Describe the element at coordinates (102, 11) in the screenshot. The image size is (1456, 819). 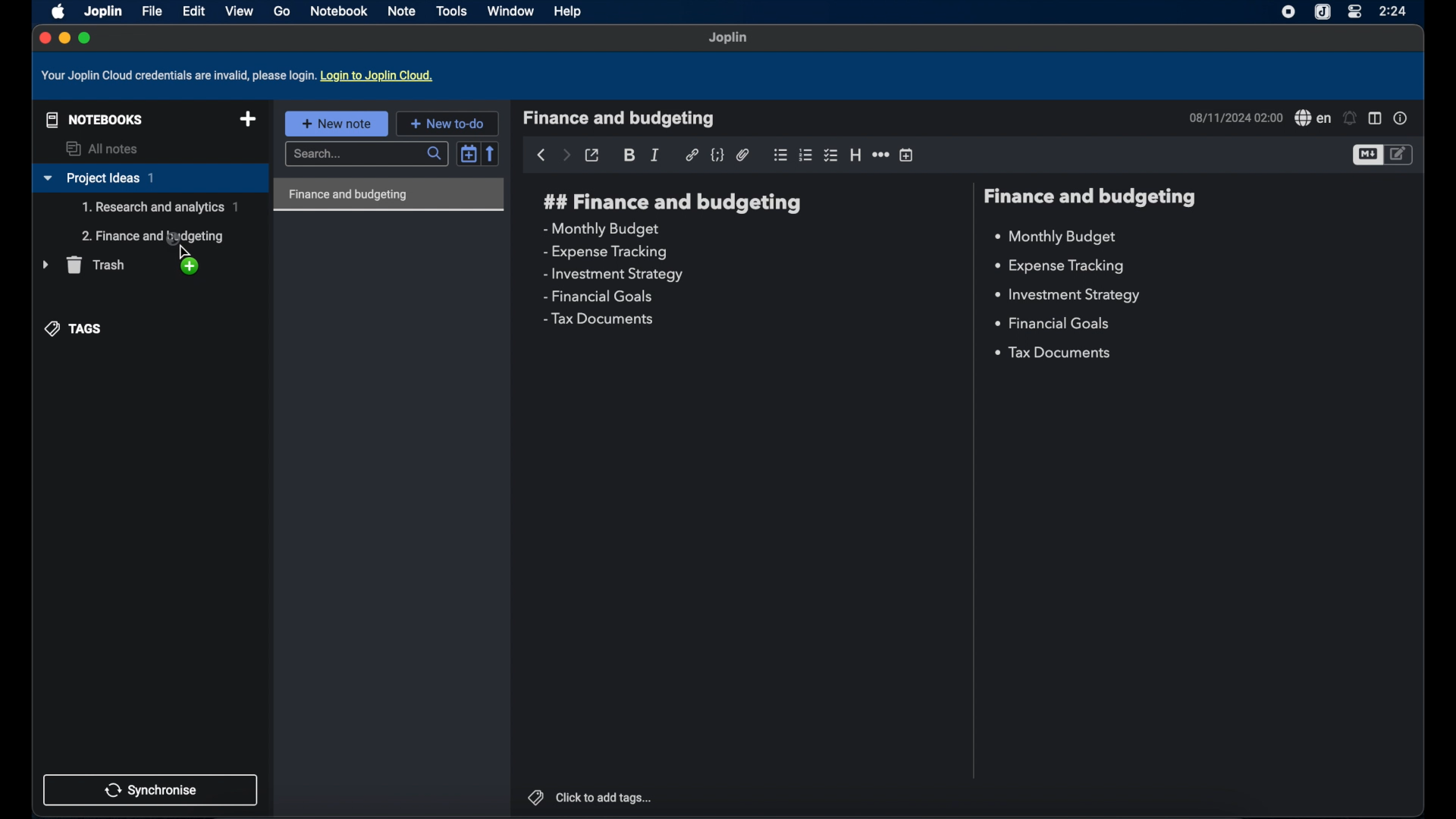
I see `Joplin` at that location.